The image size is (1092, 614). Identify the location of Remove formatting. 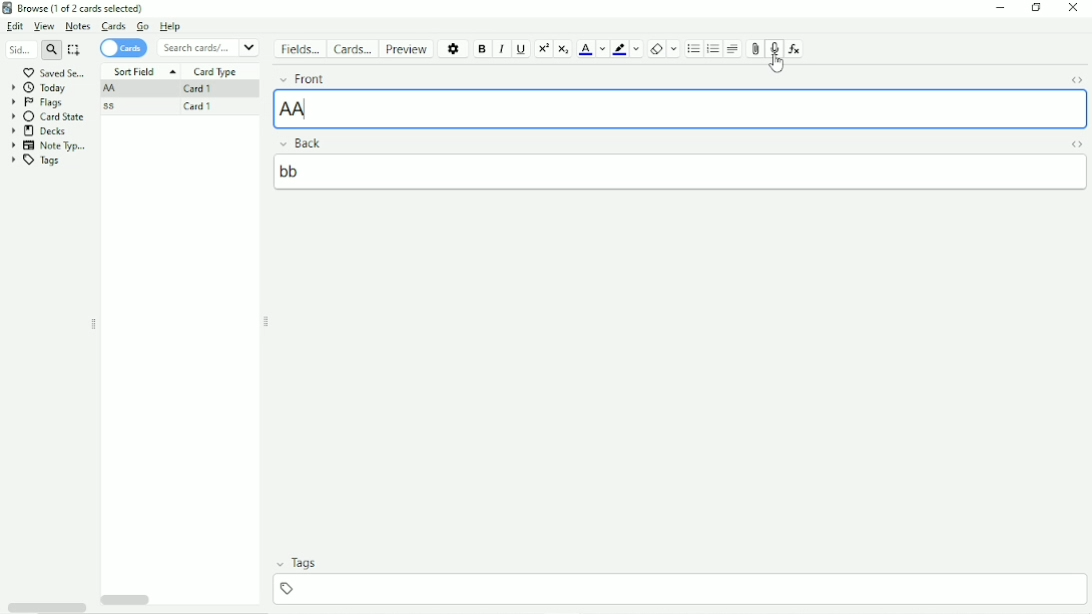
(656, 49).